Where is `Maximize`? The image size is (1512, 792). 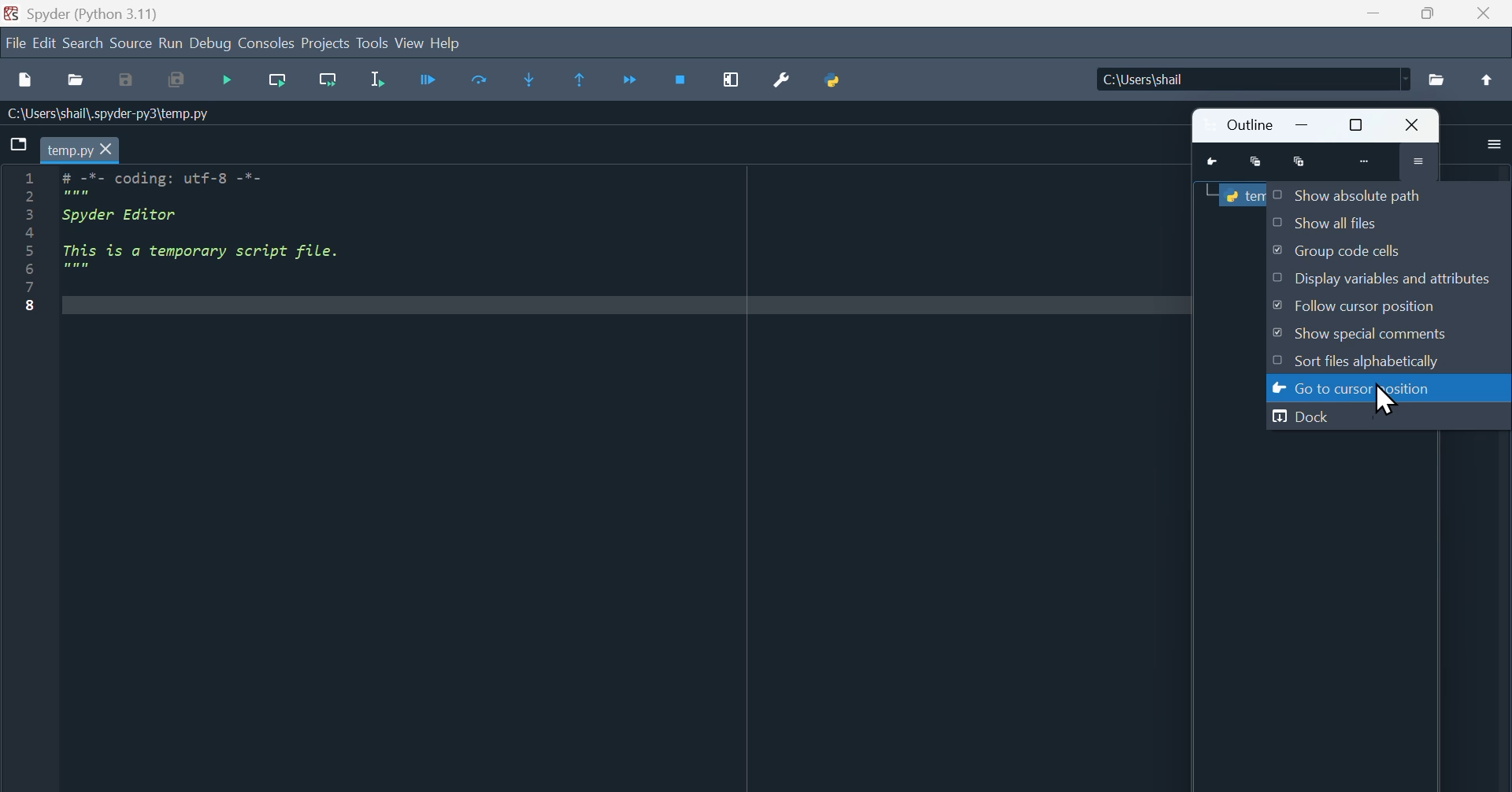
Maximize is located at coordinates (1359, 124).